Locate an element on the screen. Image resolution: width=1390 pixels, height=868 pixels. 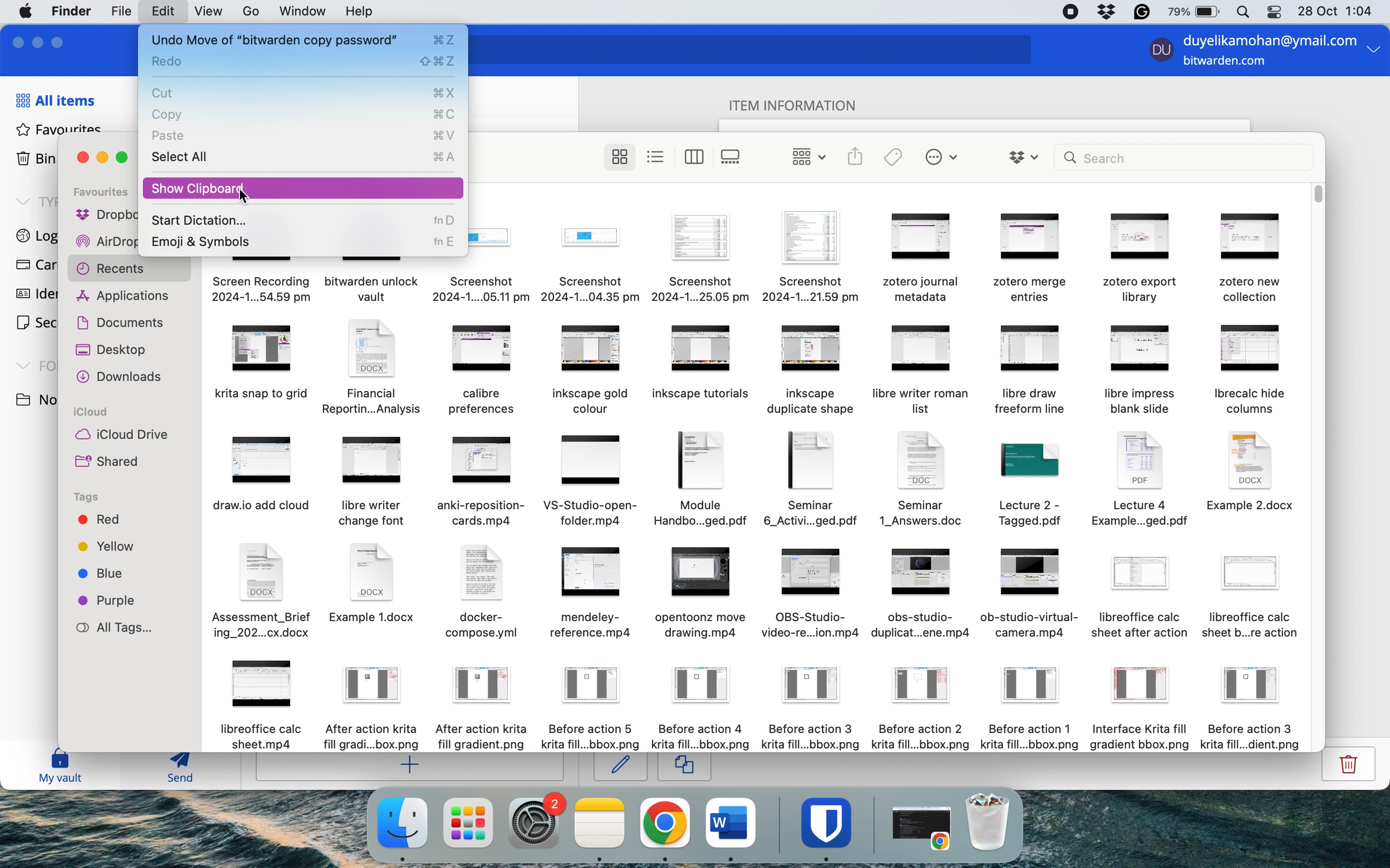
share selected items is located at coordinates (855, 156).